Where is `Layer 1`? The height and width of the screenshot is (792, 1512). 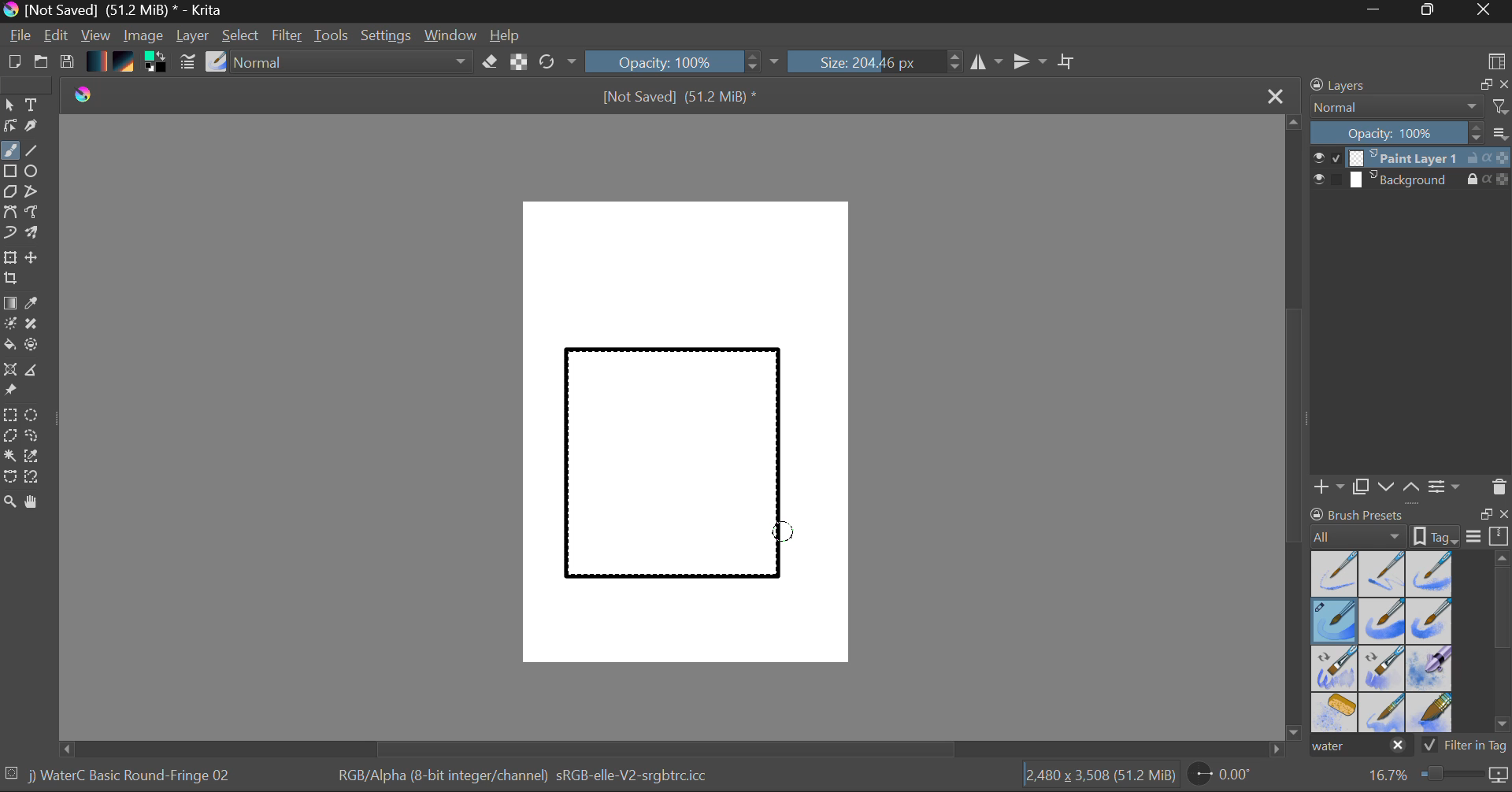 Layer 1 is located at coordinates (1412, 160).